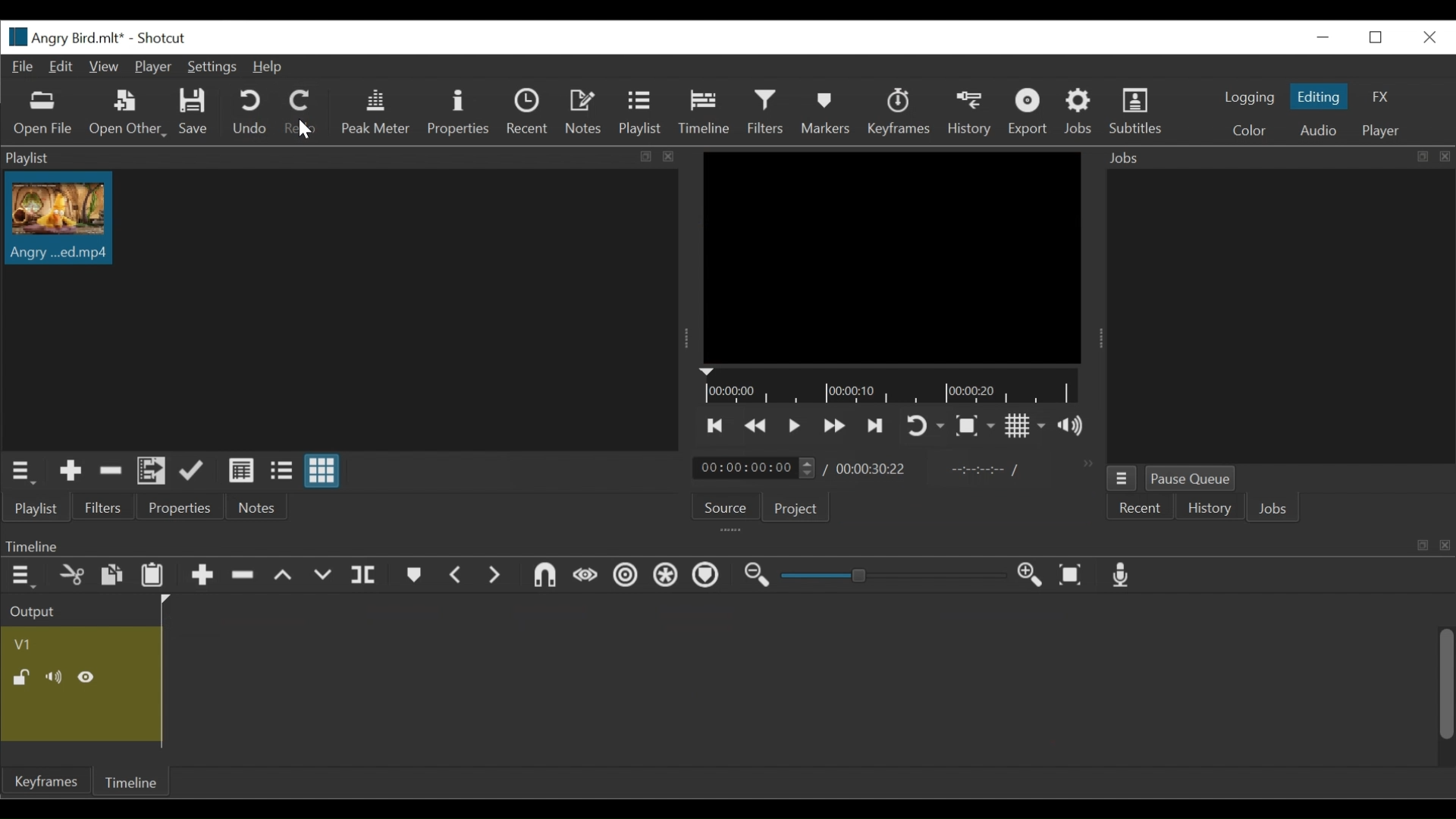 This screenshot has width=1456, height=819. What do you see at coordinates (1248, 130) in the screenshot?
I see `Color` at bounding box center [1248, 130].